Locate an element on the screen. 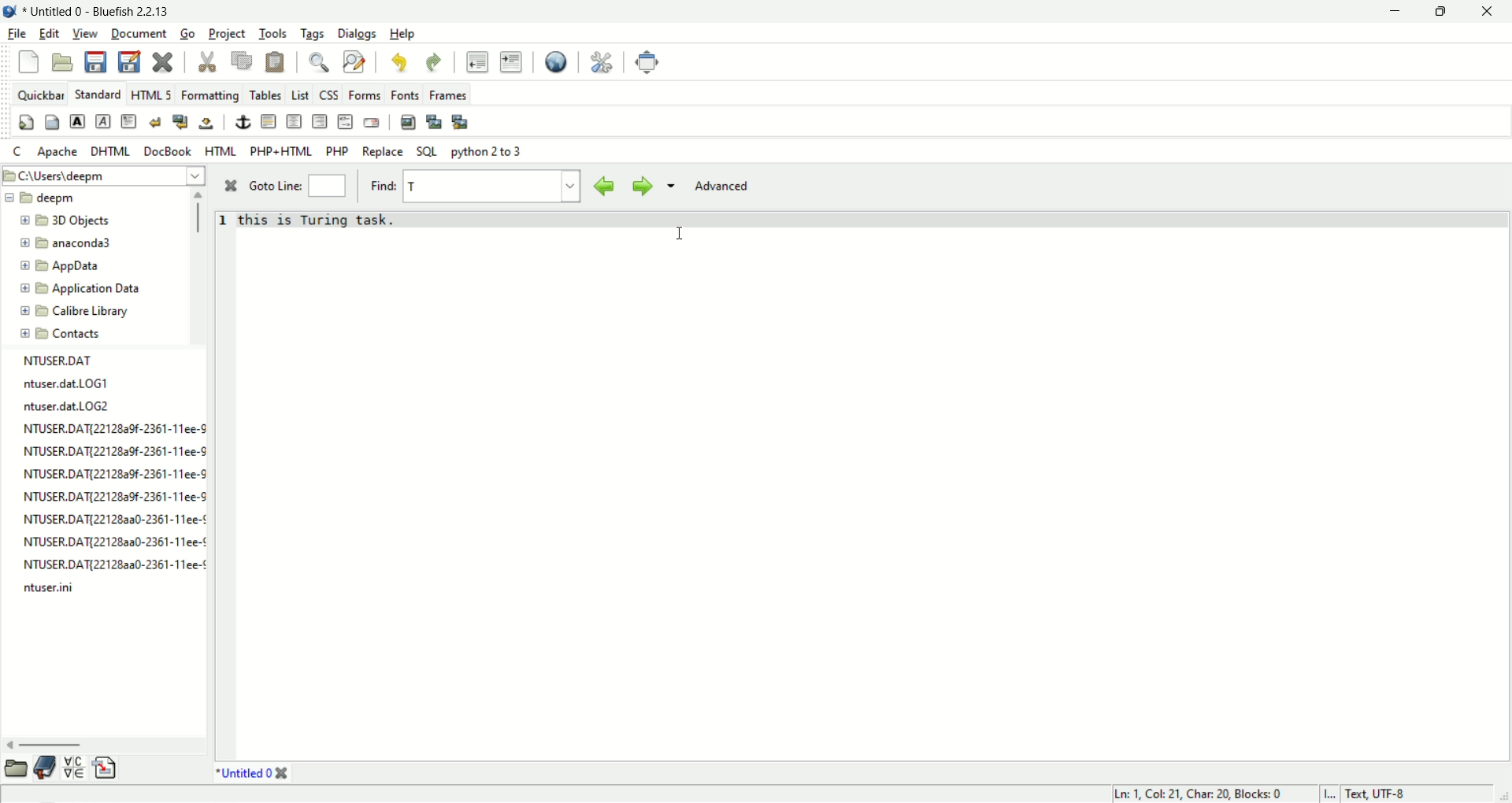  list is located at coordinates (302, 96).